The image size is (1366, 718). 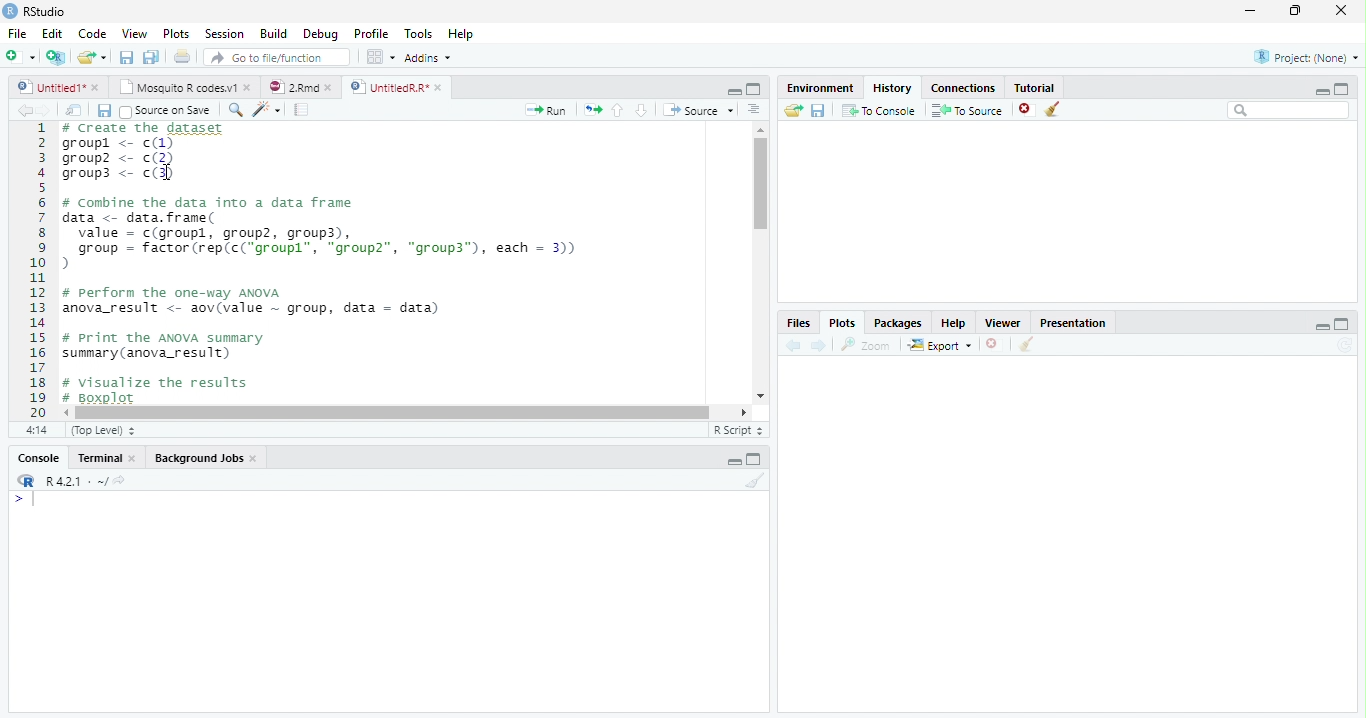 What do you see at coordinates (184, 87) in the screenshot?
I see `Mosquito R codes` at bounding box center [184, 87].